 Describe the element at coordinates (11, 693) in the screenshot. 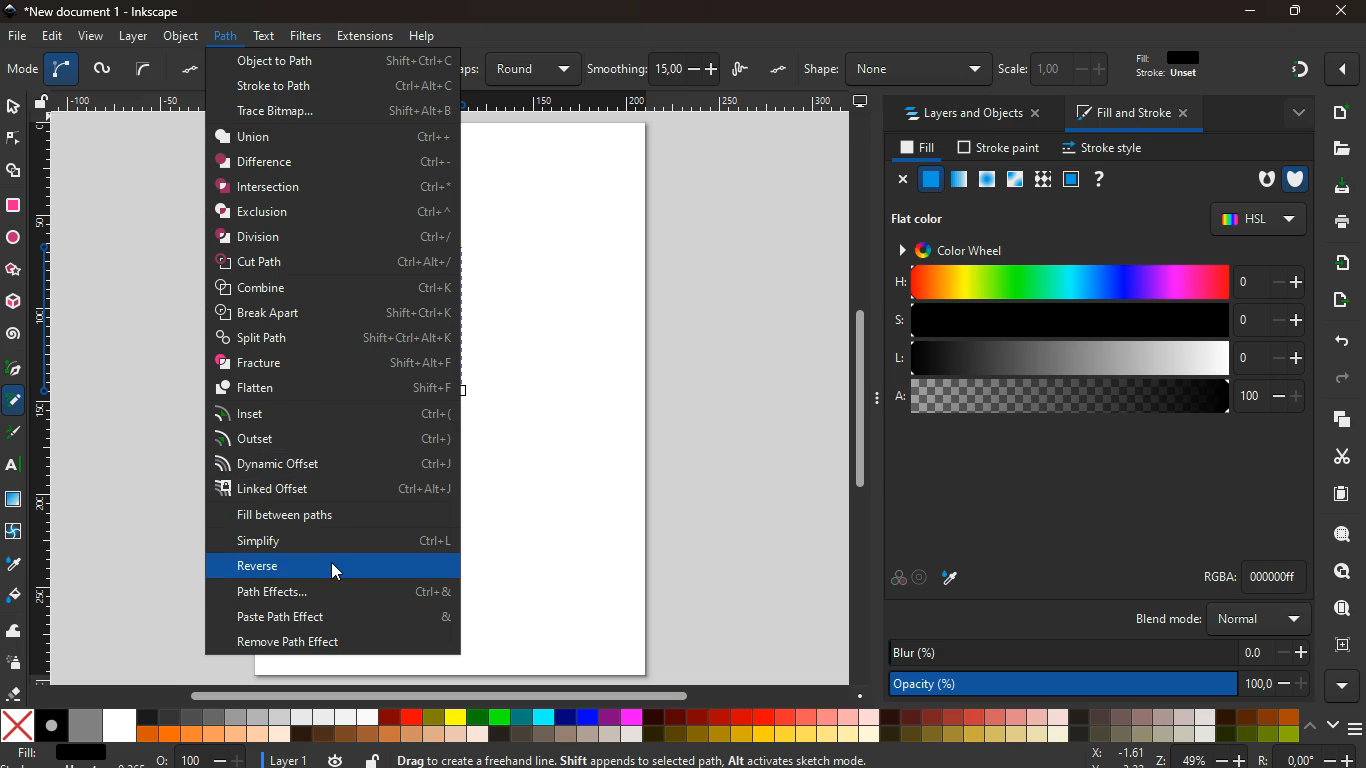

I see `erase` at that location.